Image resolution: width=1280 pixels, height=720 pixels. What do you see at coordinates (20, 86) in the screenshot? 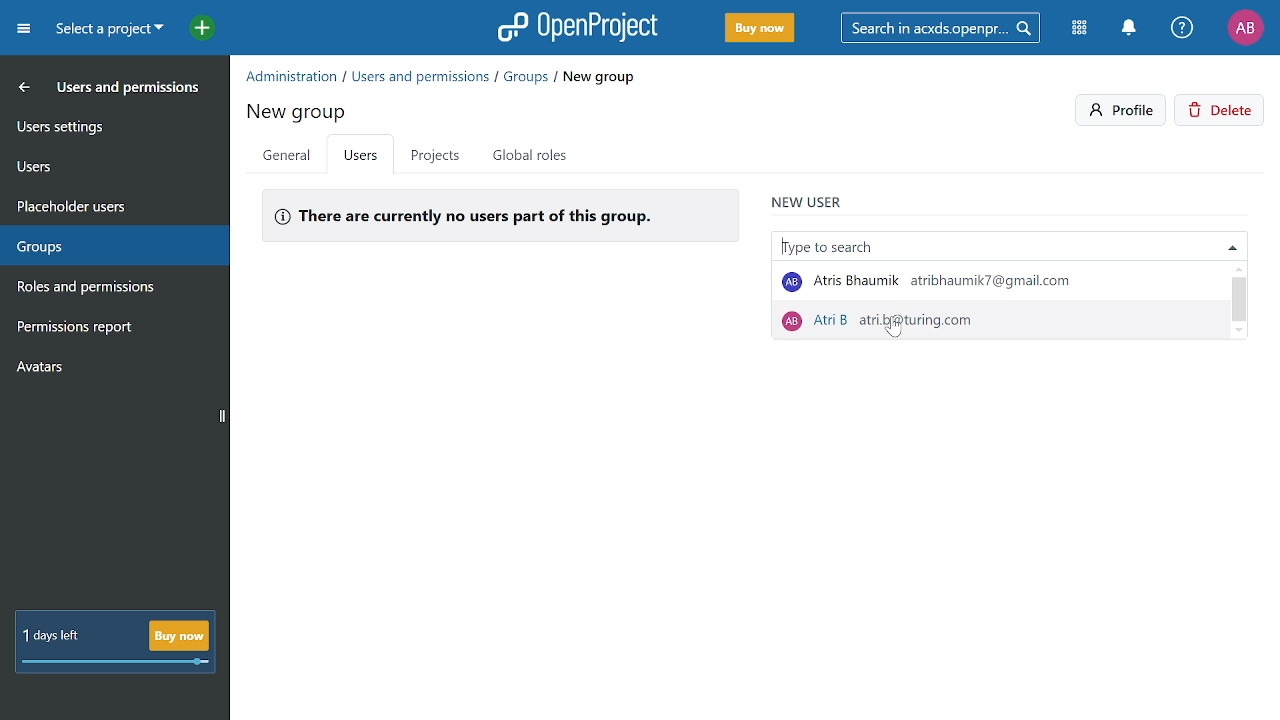
I see `MOve back` at bounding box center [20, 86].